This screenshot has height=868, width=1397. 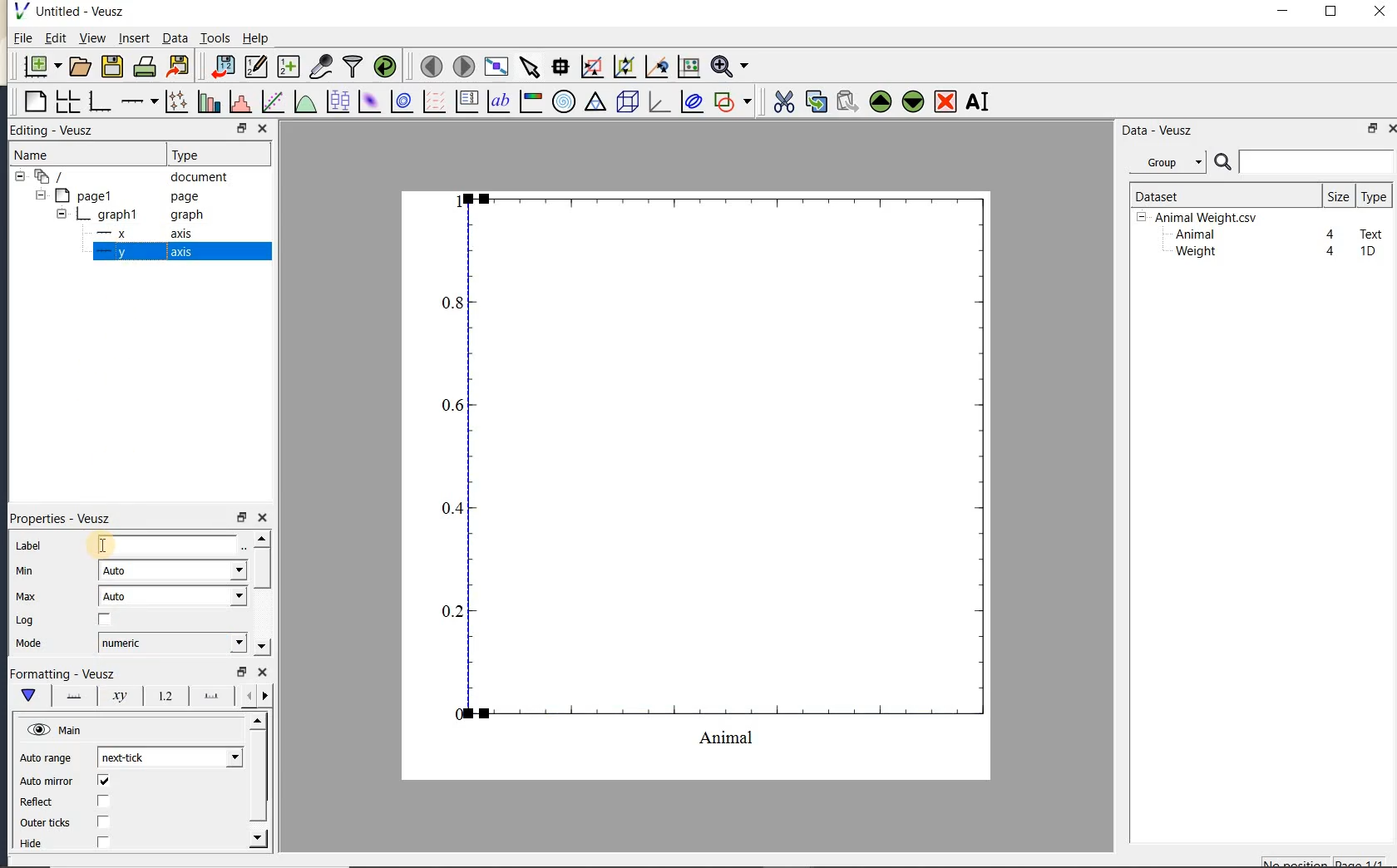 I want to click on cut the selected widget, so click(x=782, y=102).